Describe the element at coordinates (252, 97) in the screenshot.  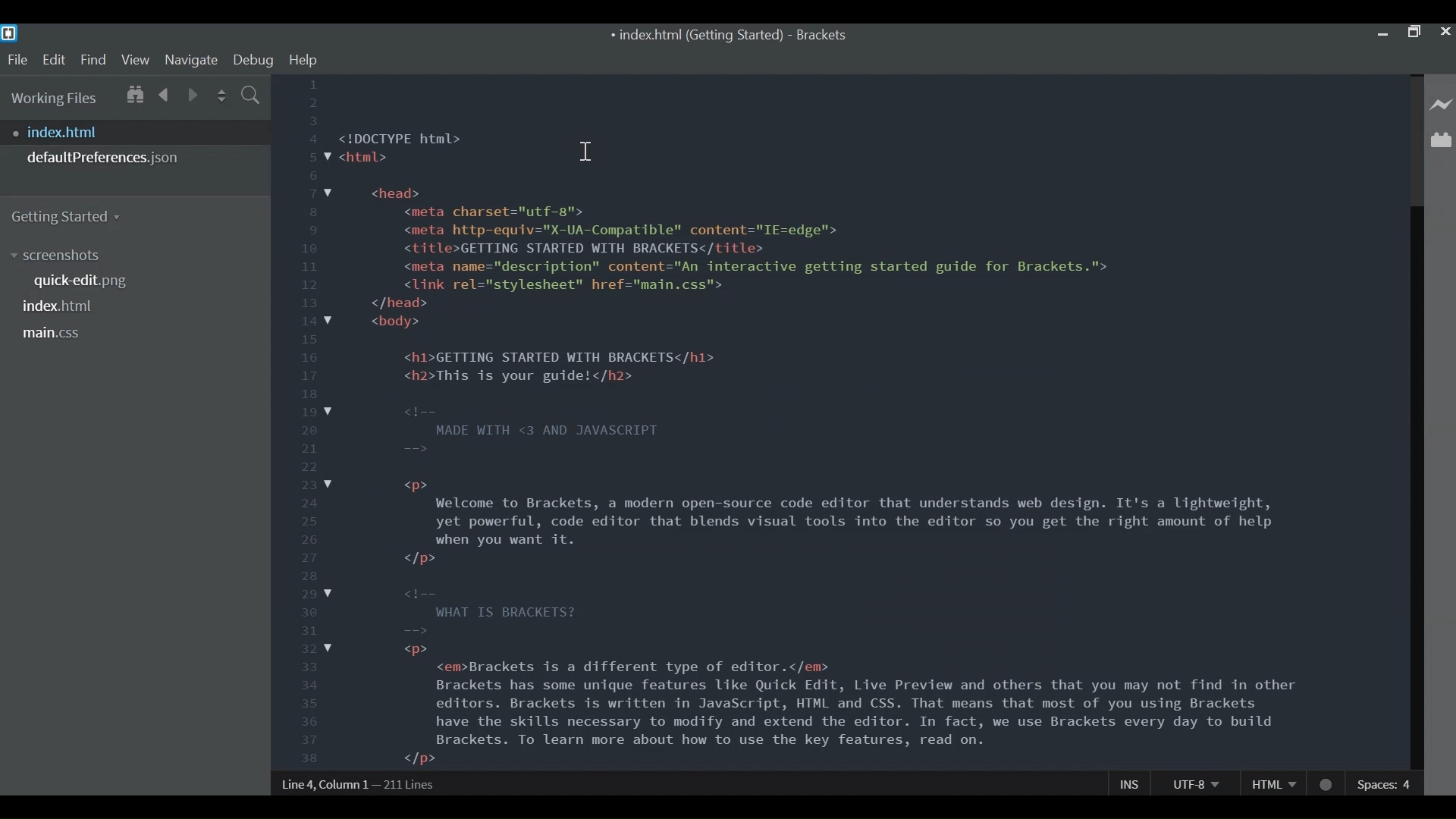
I see `Find in Files` at that location.